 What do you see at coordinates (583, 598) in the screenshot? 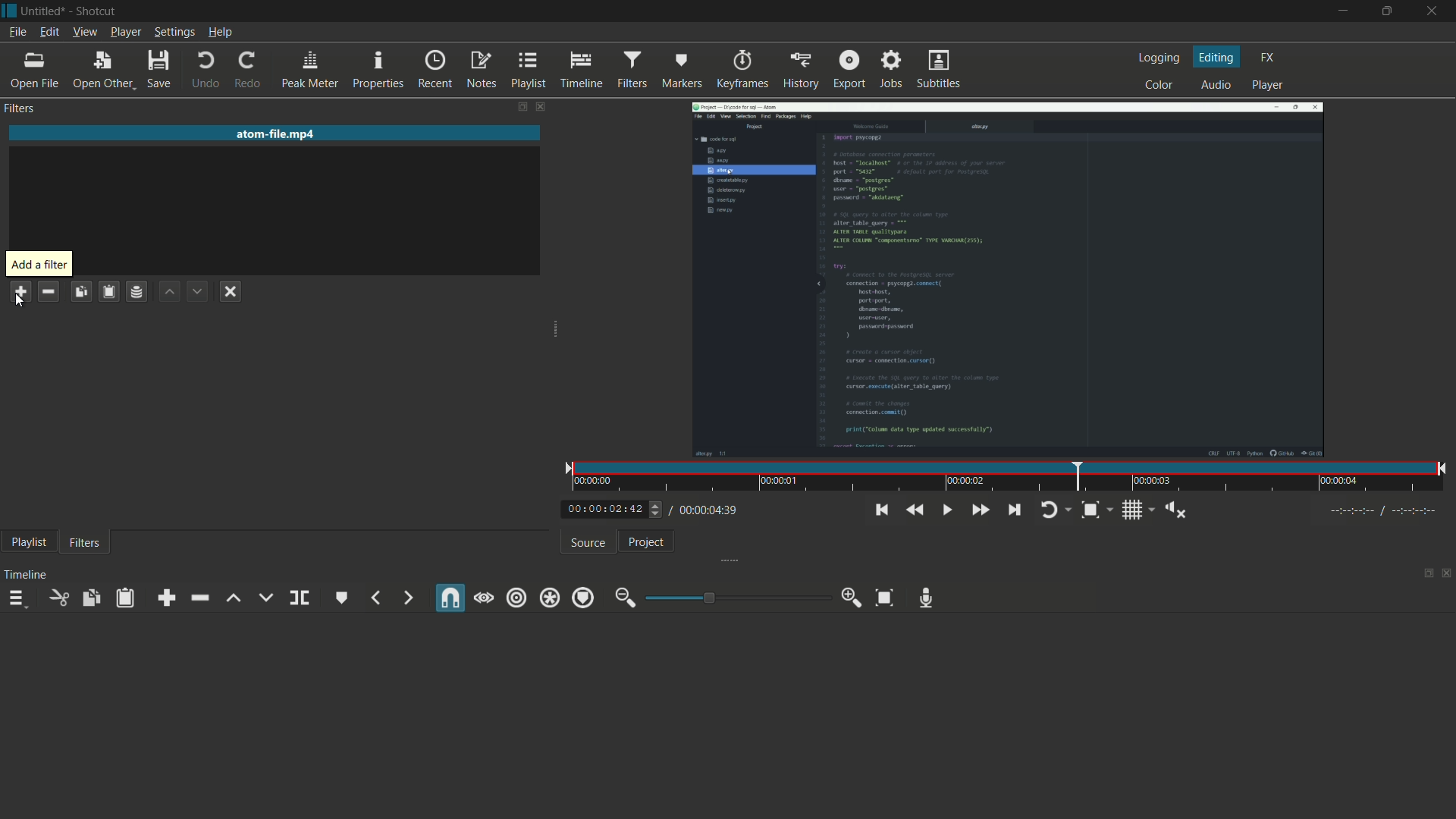
I see `ripple markers` at bounding box center [583, 598].